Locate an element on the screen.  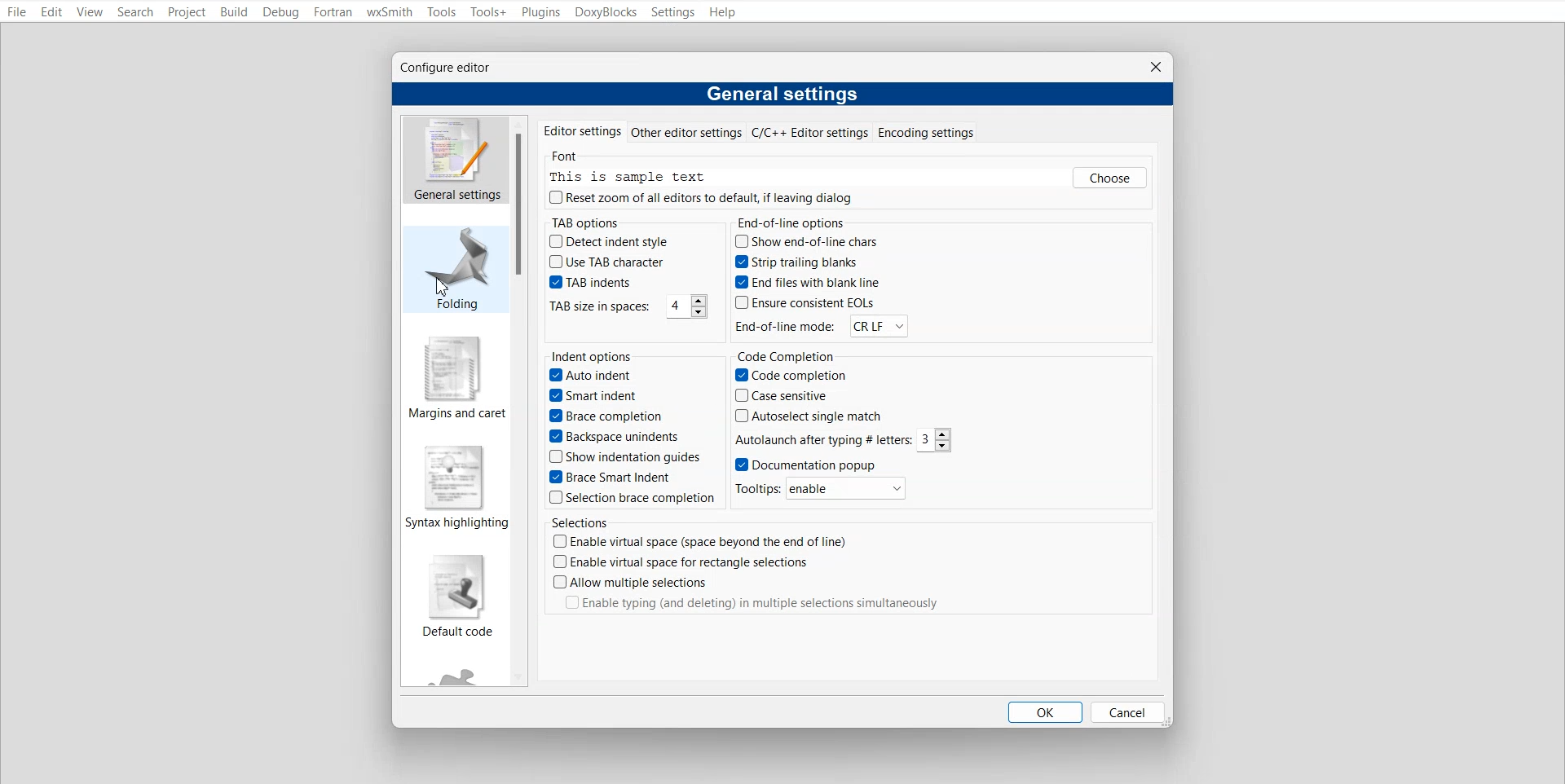
Selection brace completion is located at coordinates (628, 498).